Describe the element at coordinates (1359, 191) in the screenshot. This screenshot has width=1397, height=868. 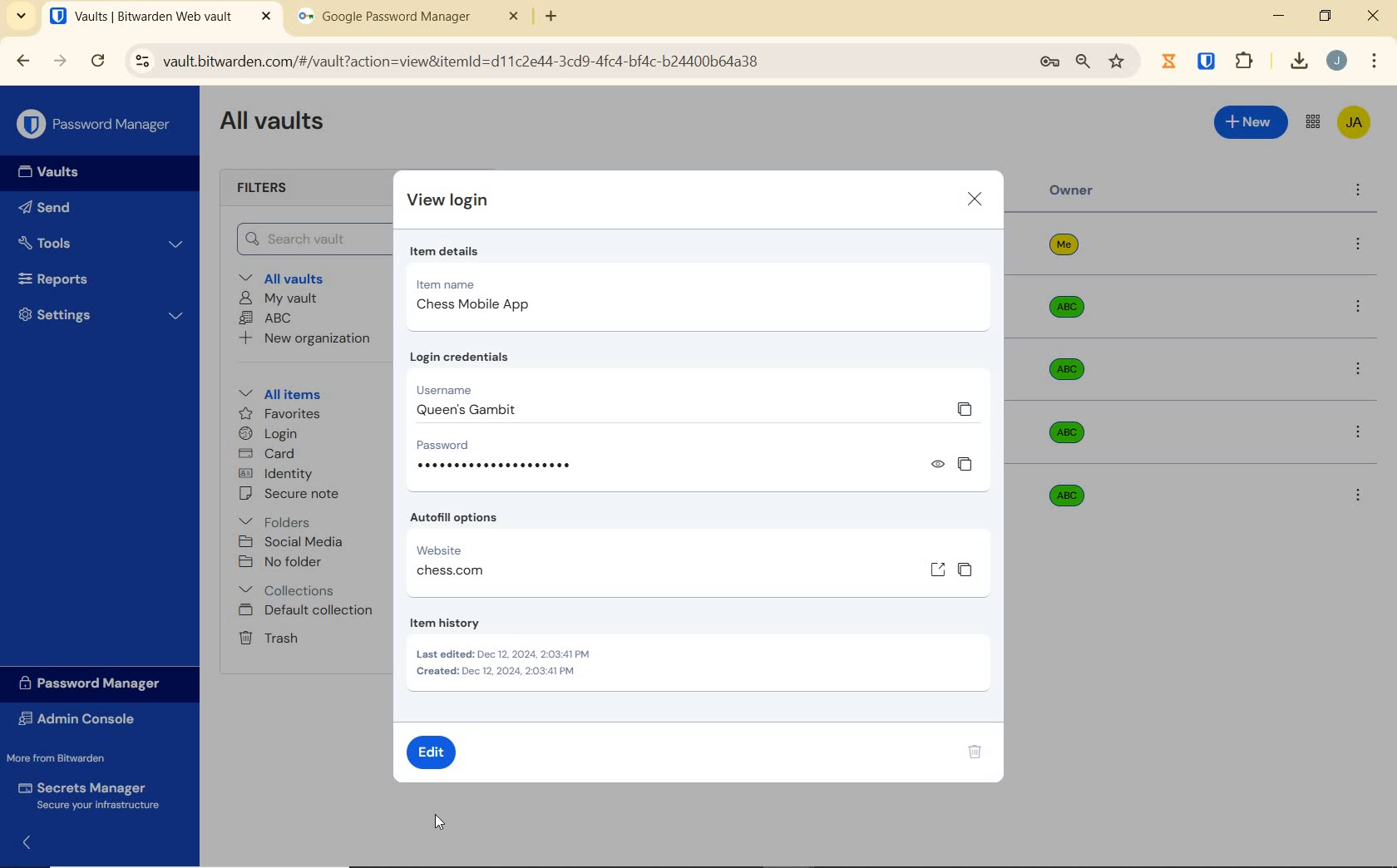
I see `more option` at that location.